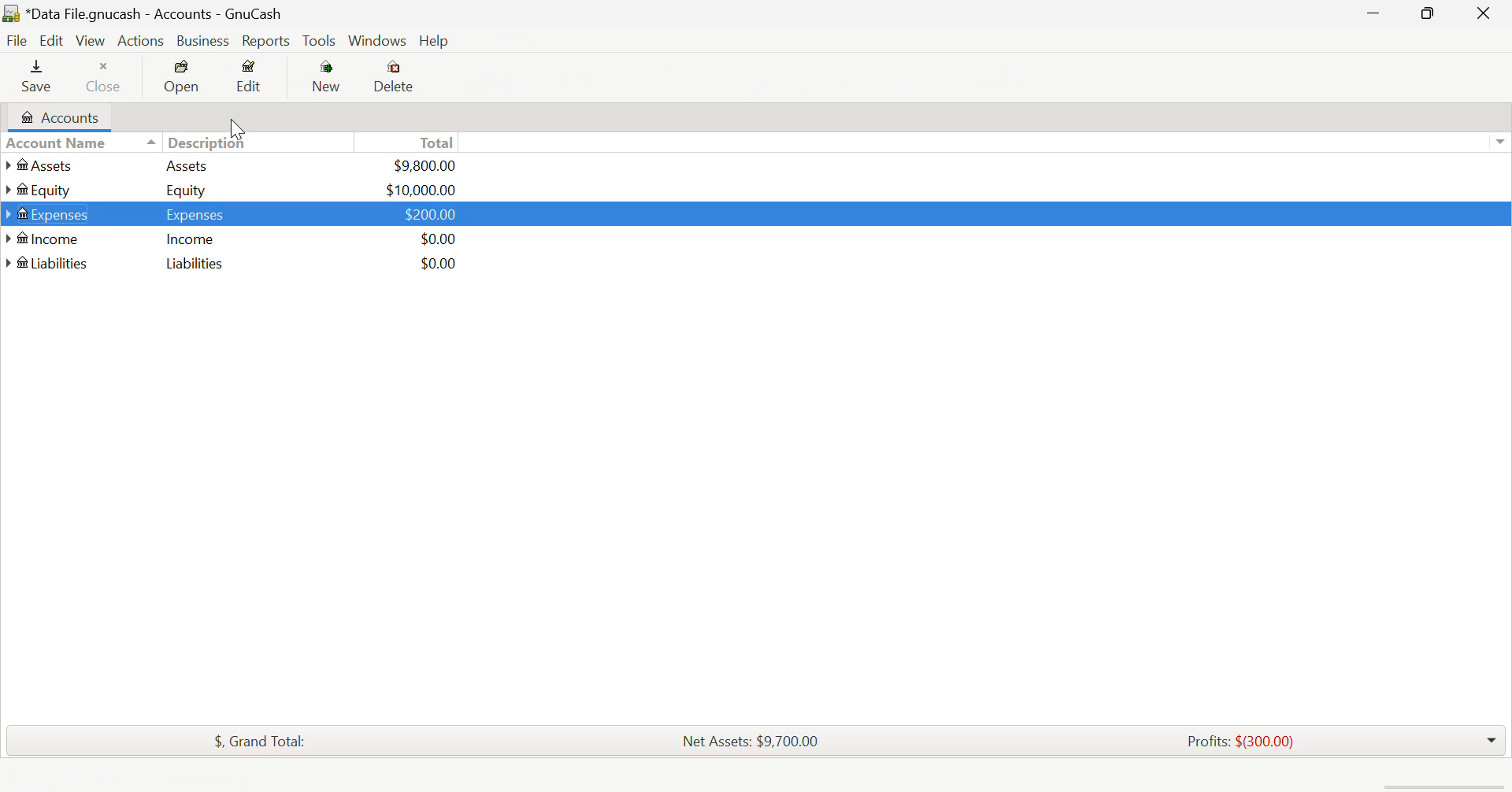  Describe the element at coordinates (1244, 740) in the screenshot. I see `Profits: $(300.00)` at that location.